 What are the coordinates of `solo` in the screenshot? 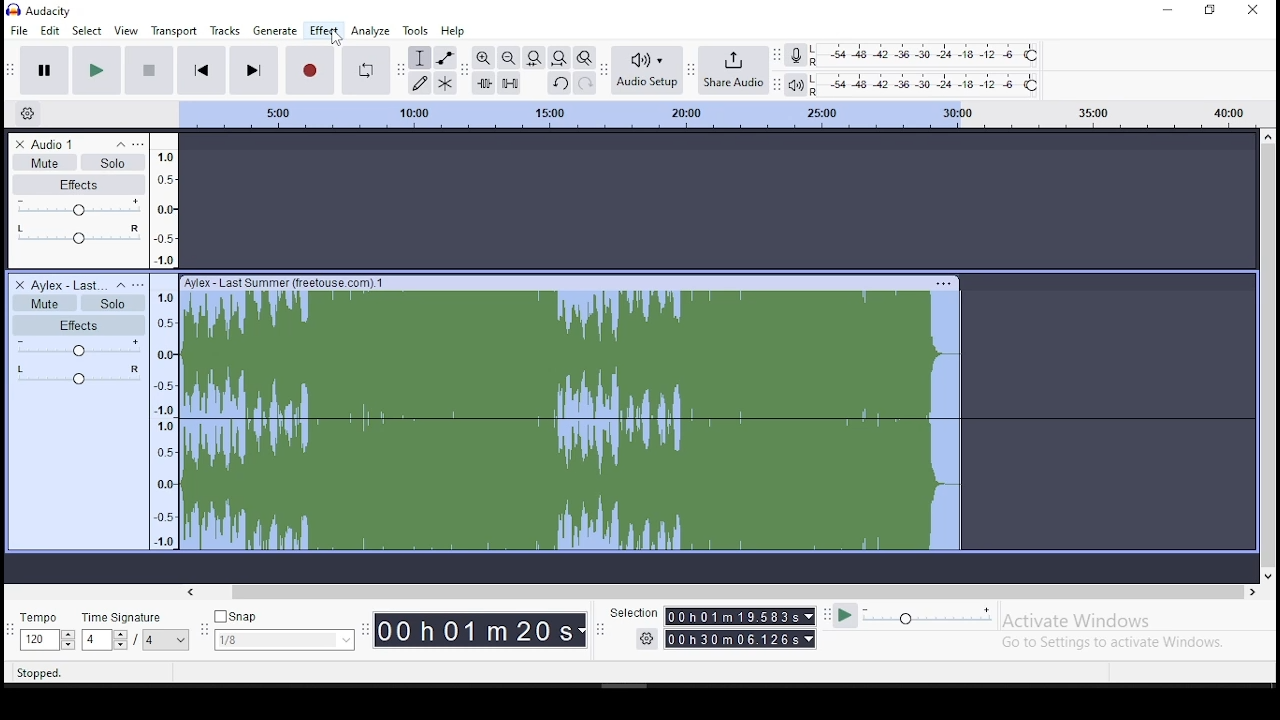 It's located at (112, 303).